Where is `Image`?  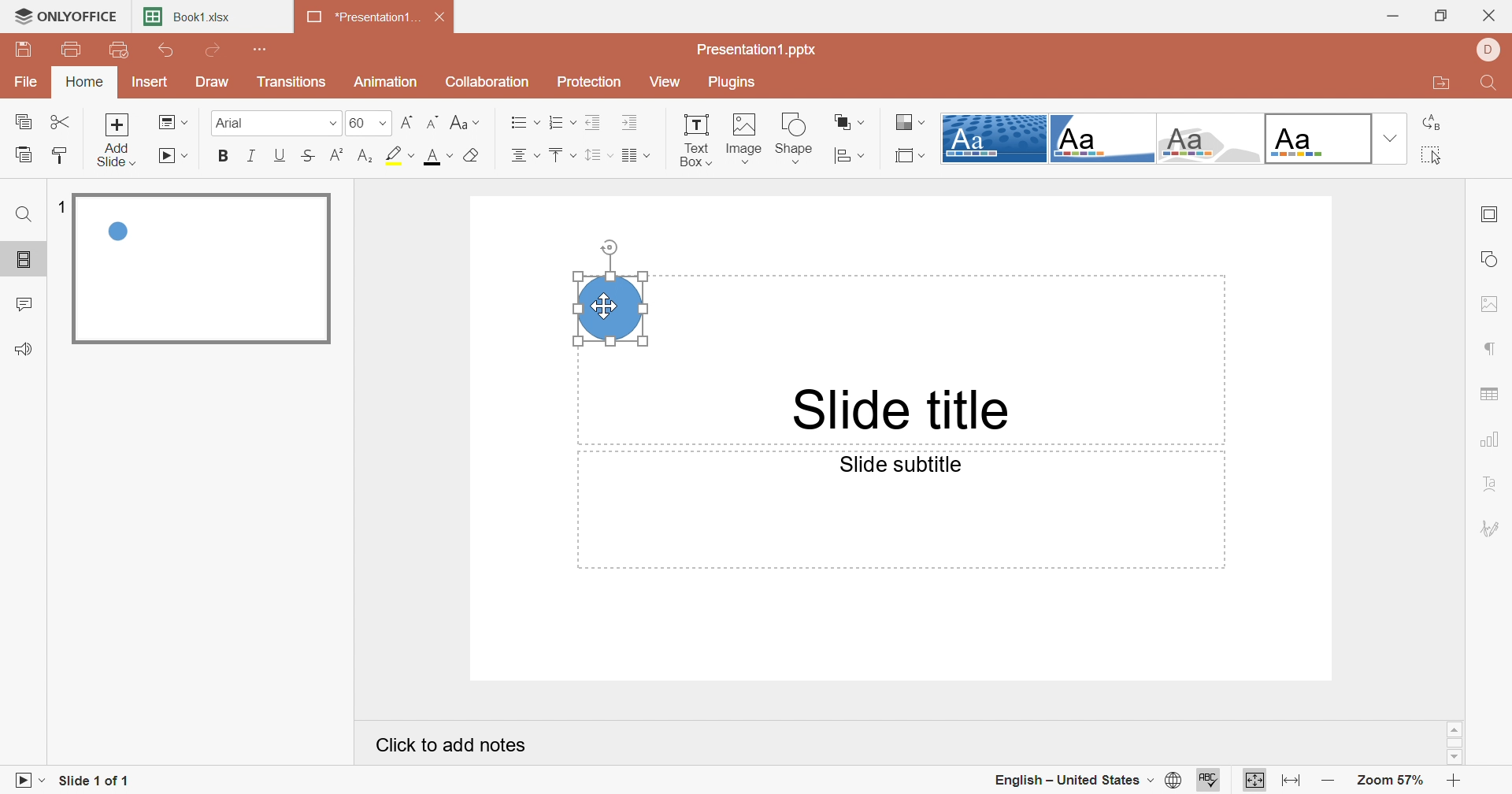
Image is located at coordinates (741, 139).